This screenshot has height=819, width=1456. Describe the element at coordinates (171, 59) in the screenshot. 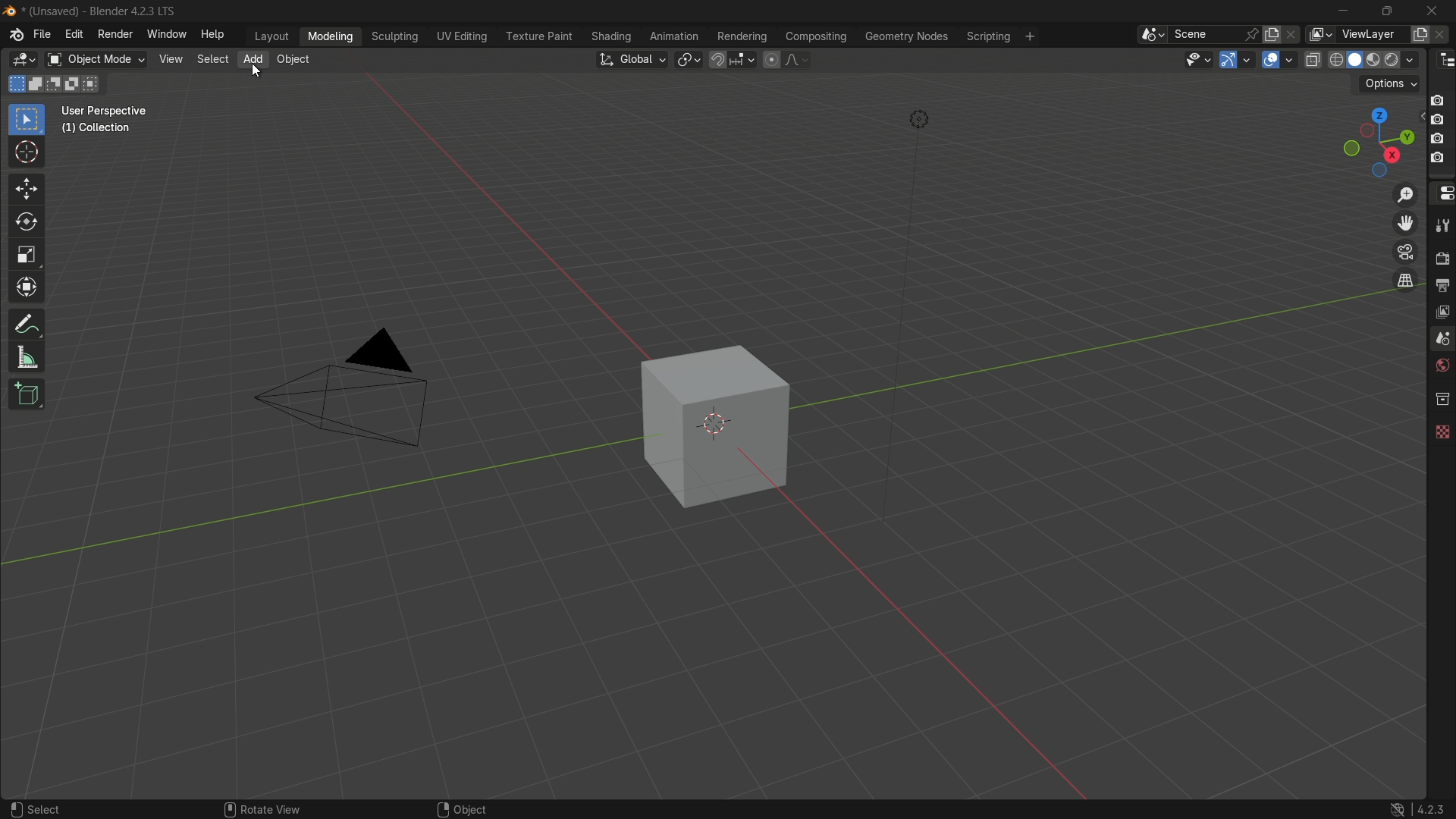

I see `view menu` at that location.